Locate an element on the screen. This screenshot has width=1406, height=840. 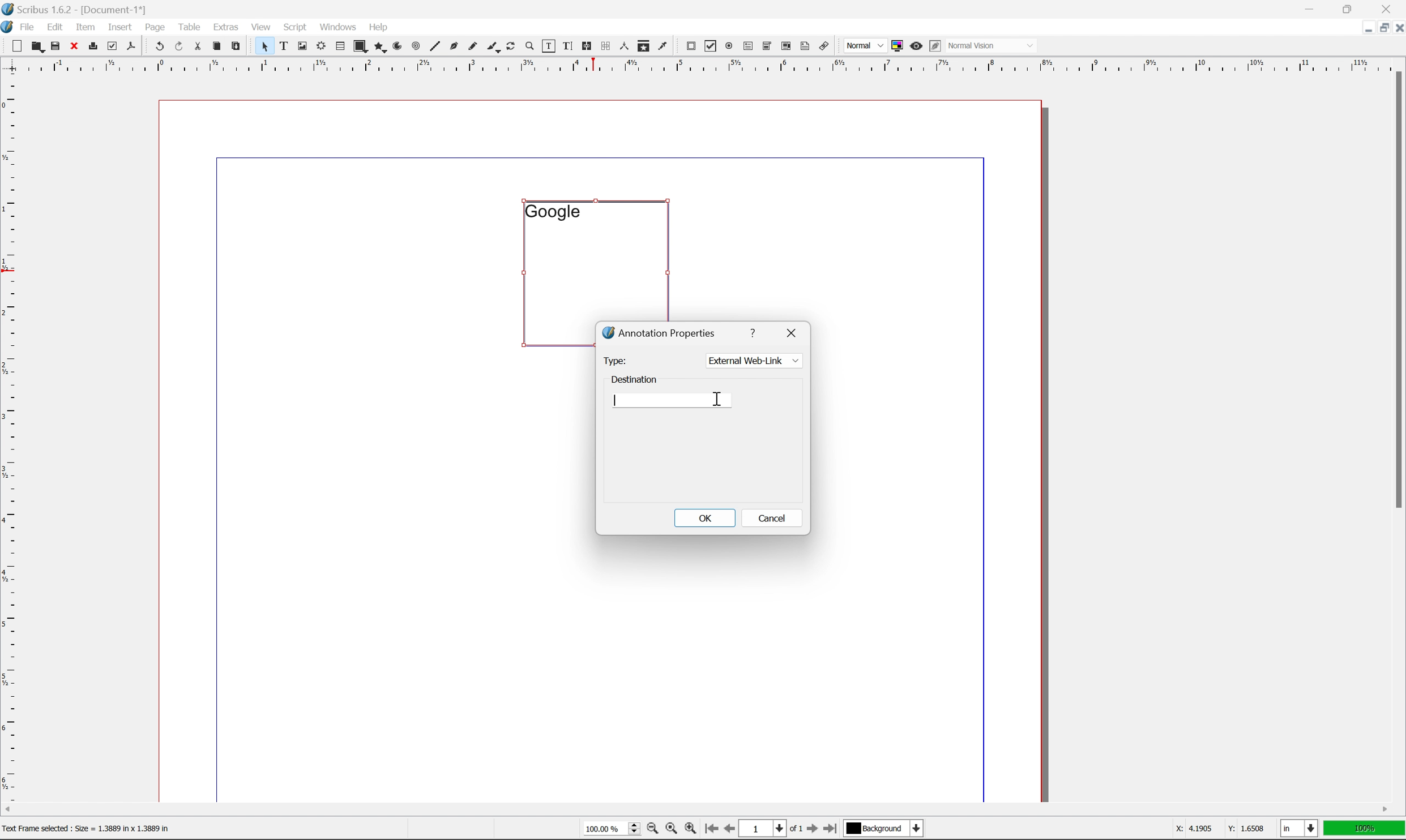
bezier curve is located at coordinates (454, 46).